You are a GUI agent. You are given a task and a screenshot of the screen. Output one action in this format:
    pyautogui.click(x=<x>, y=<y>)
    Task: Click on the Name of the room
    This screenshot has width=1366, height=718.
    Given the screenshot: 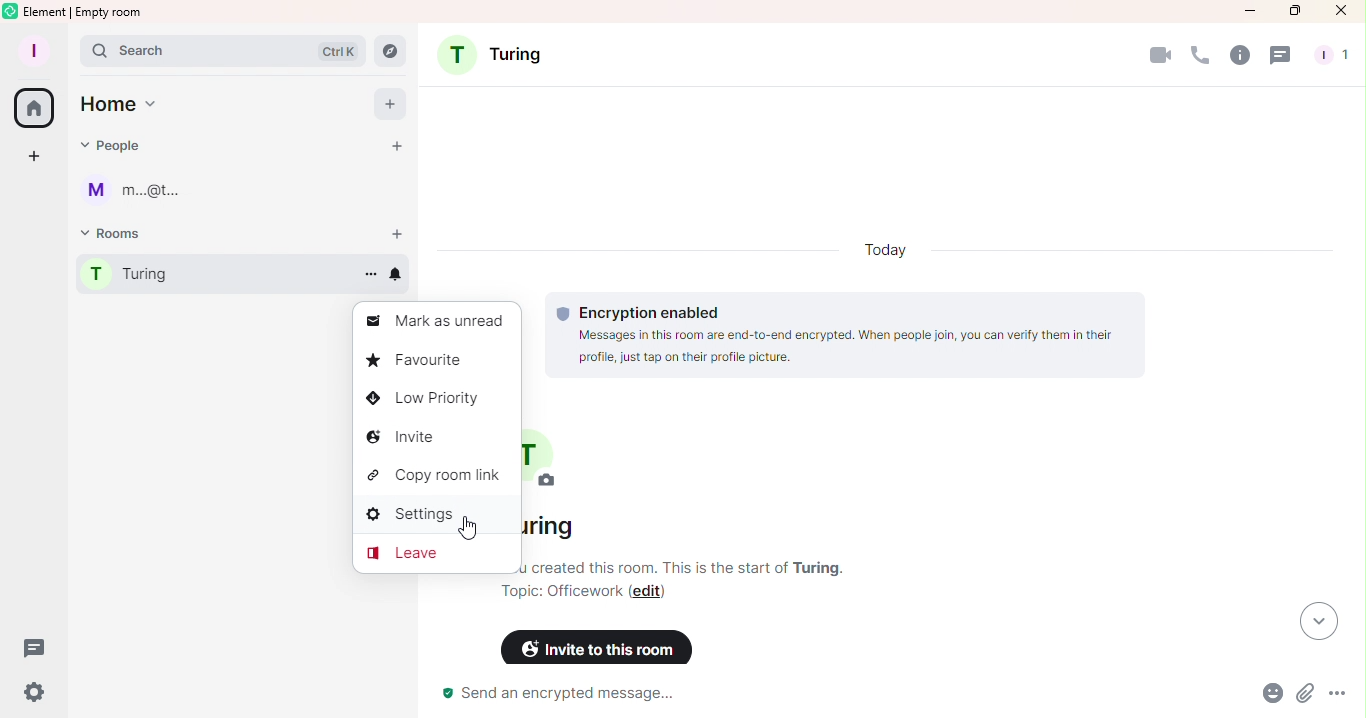 What is the action you would take?
    pyautogui.click(x=558, y=525)
    